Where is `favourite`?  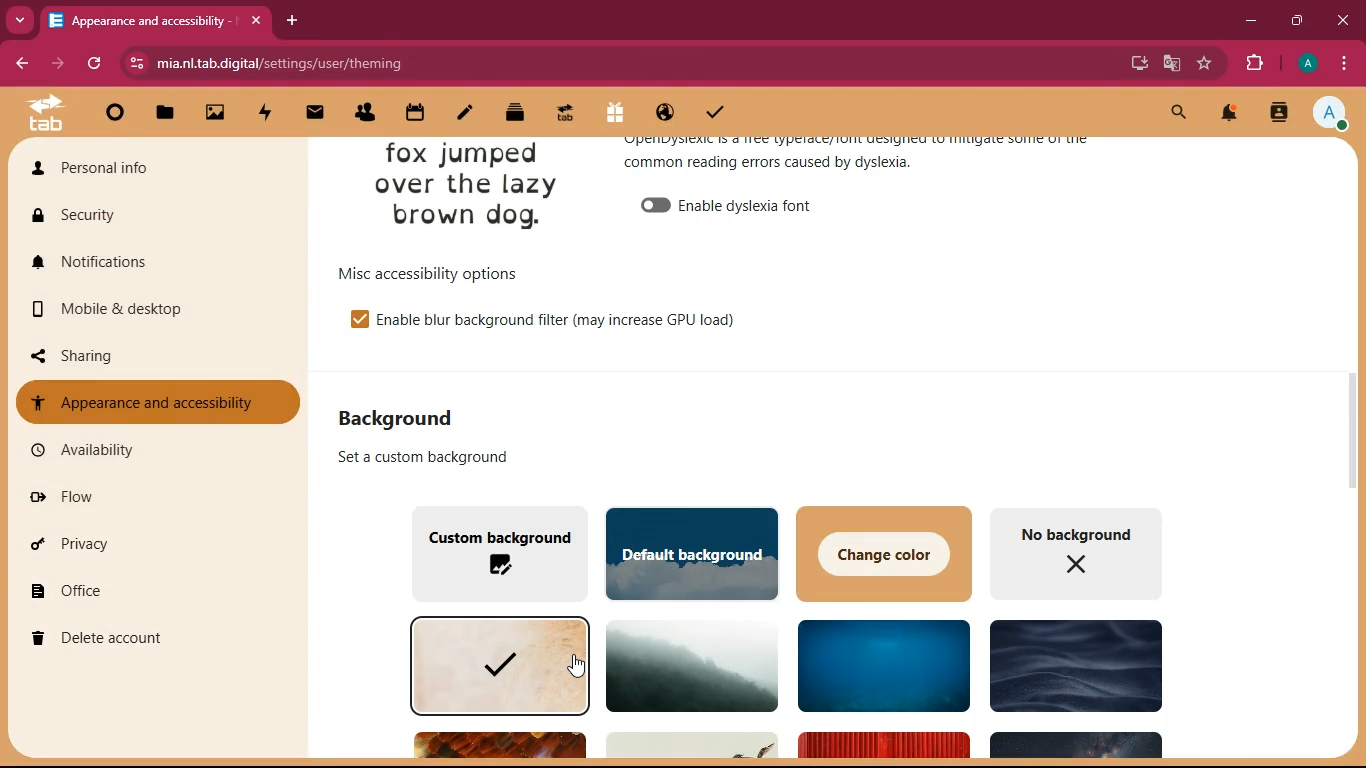
favourite is located at coordinates (1202, 64).